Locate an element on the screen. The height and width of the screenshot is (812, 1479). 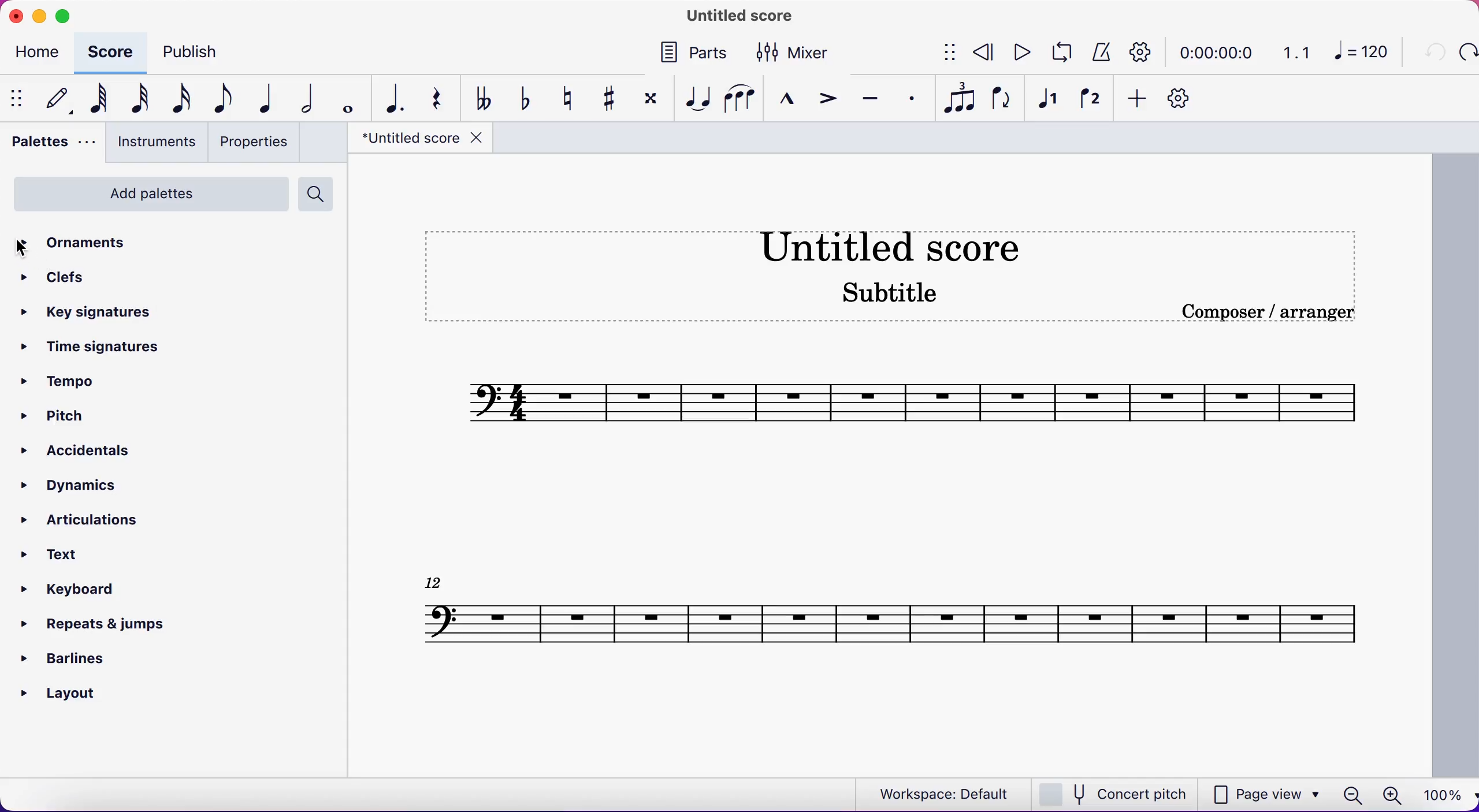
page view is located at coordinates (1268, 793).